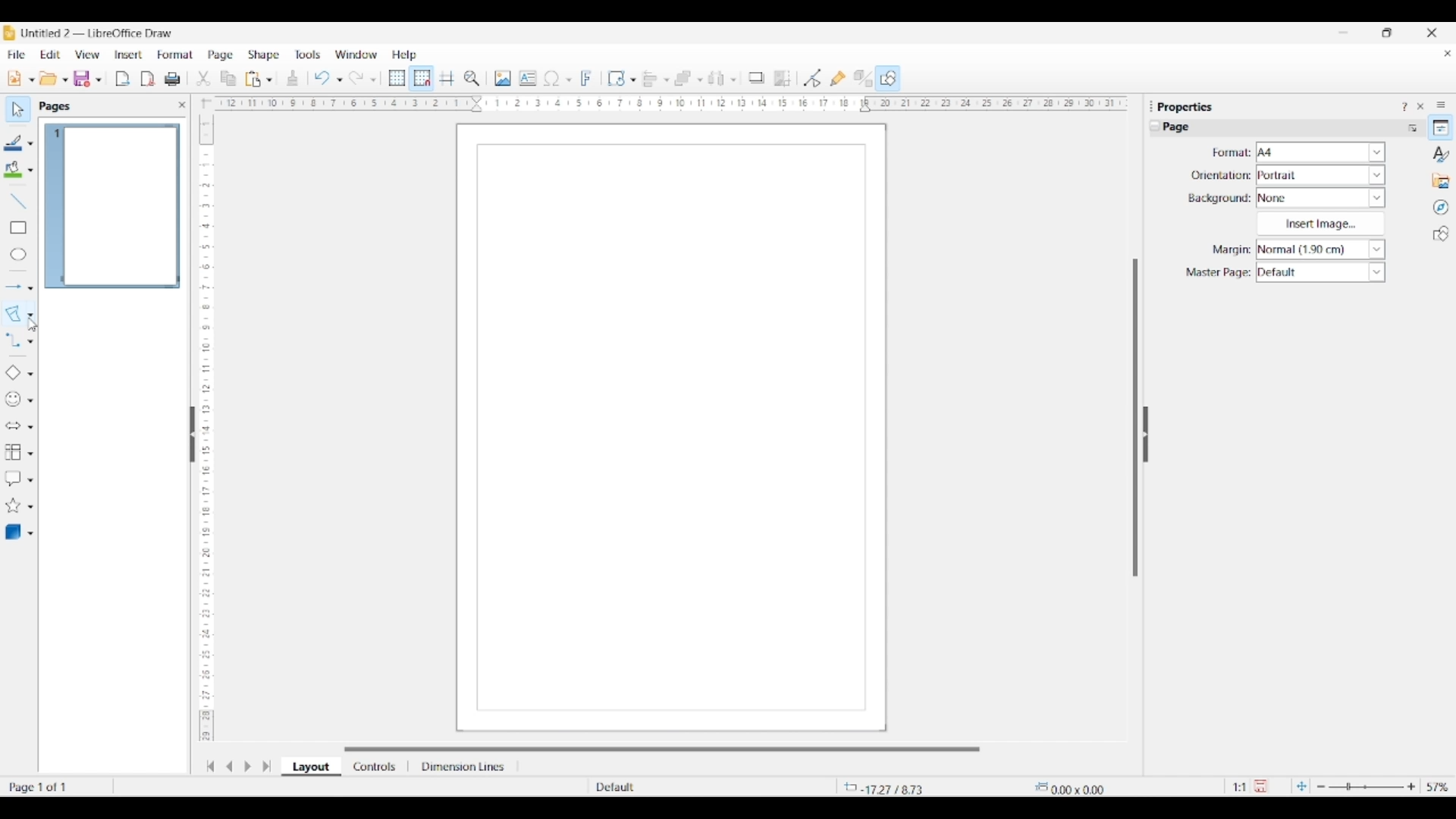 Image resolution: width=1456 pixels, height=819 pixels. Describe the element at coordinates (18, 227) in the screenshot. I see `Rectangle` at that location.